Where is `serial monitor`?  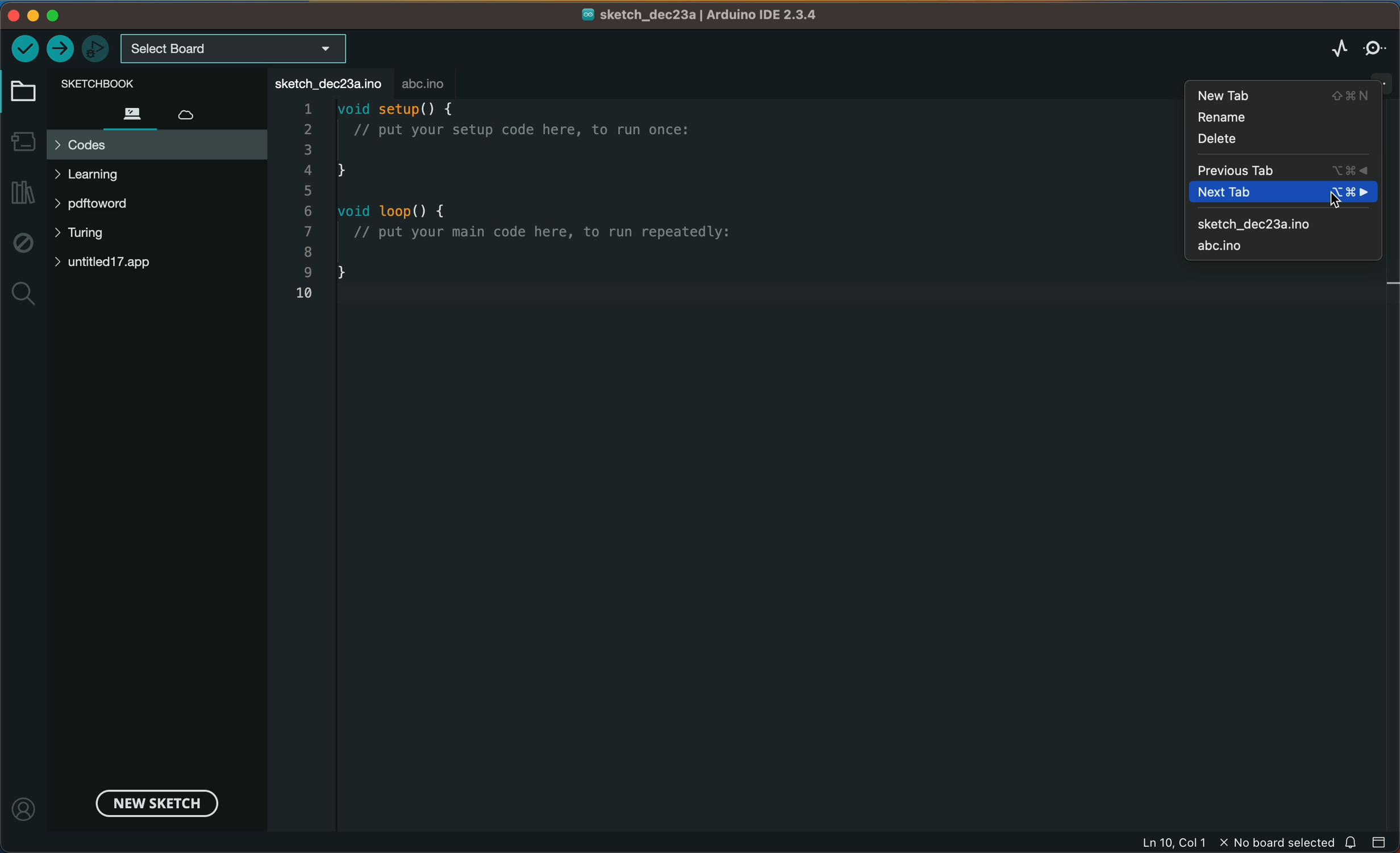
serial monitor is located at coordinates (1375, 45).